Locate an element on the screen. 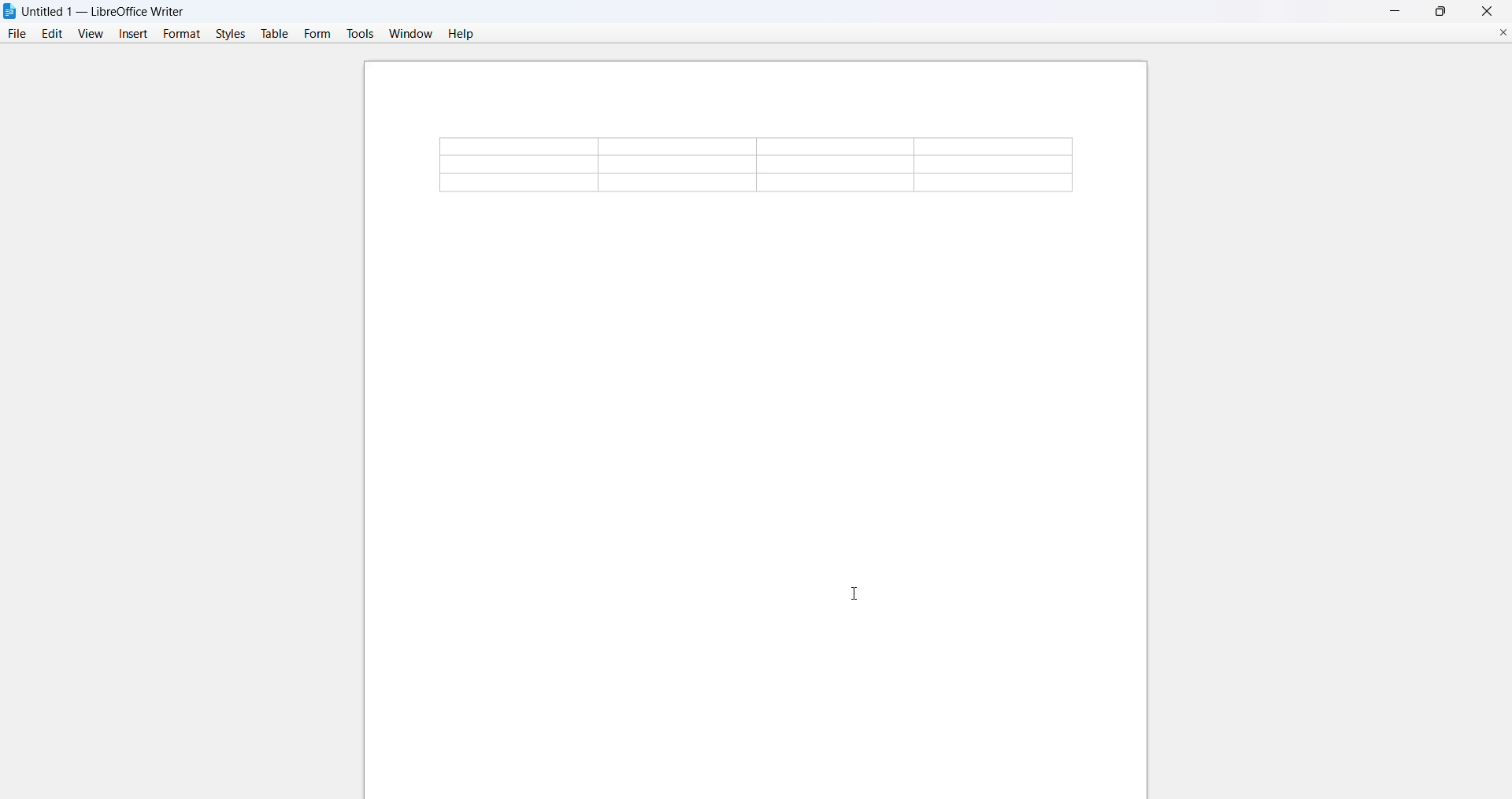 Image resolution: width=1512 pixels, height=799 pixels. insert is located at coordinates (134, 33).